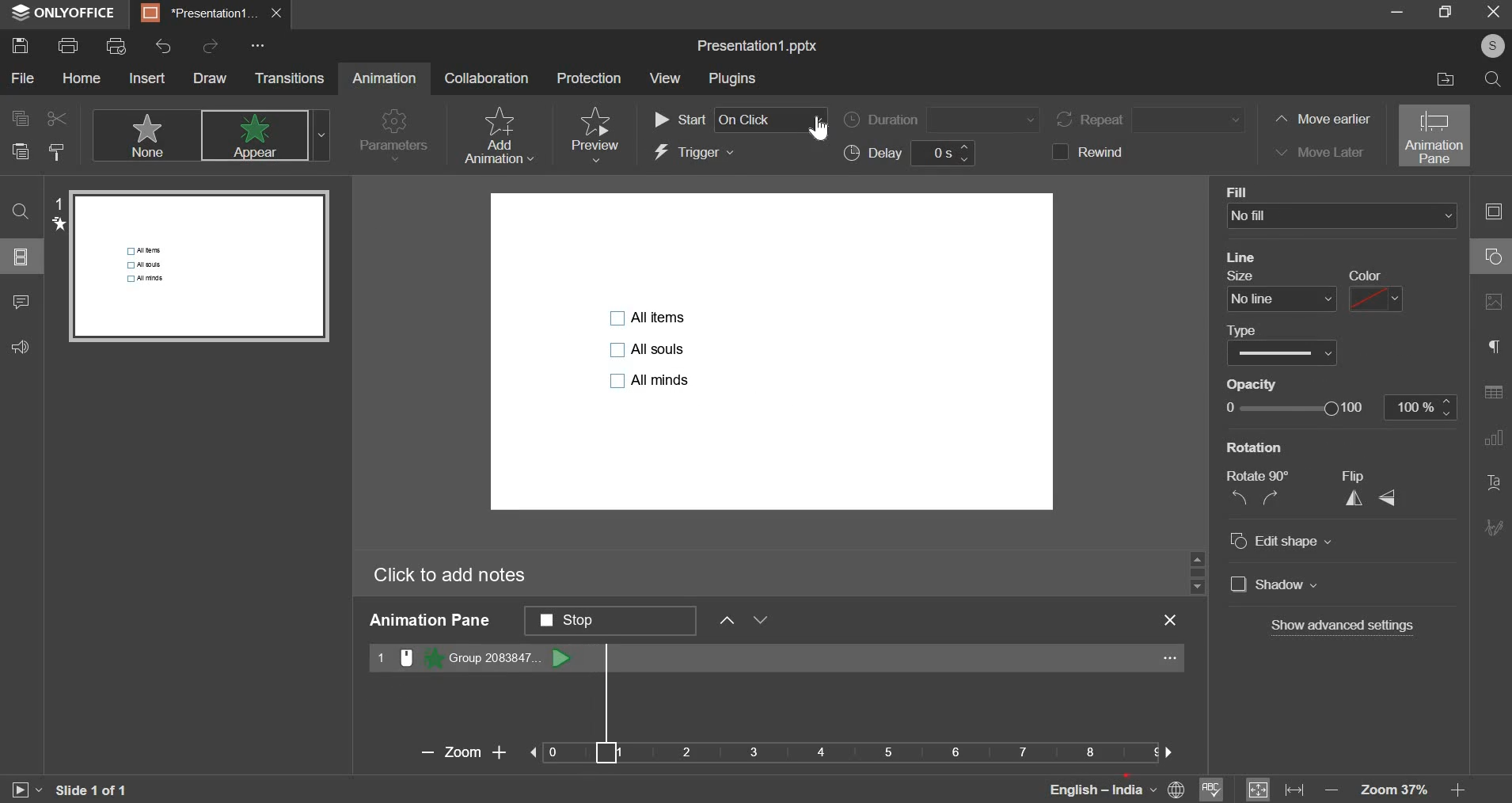  I want to click on preview, so click(594, 134).